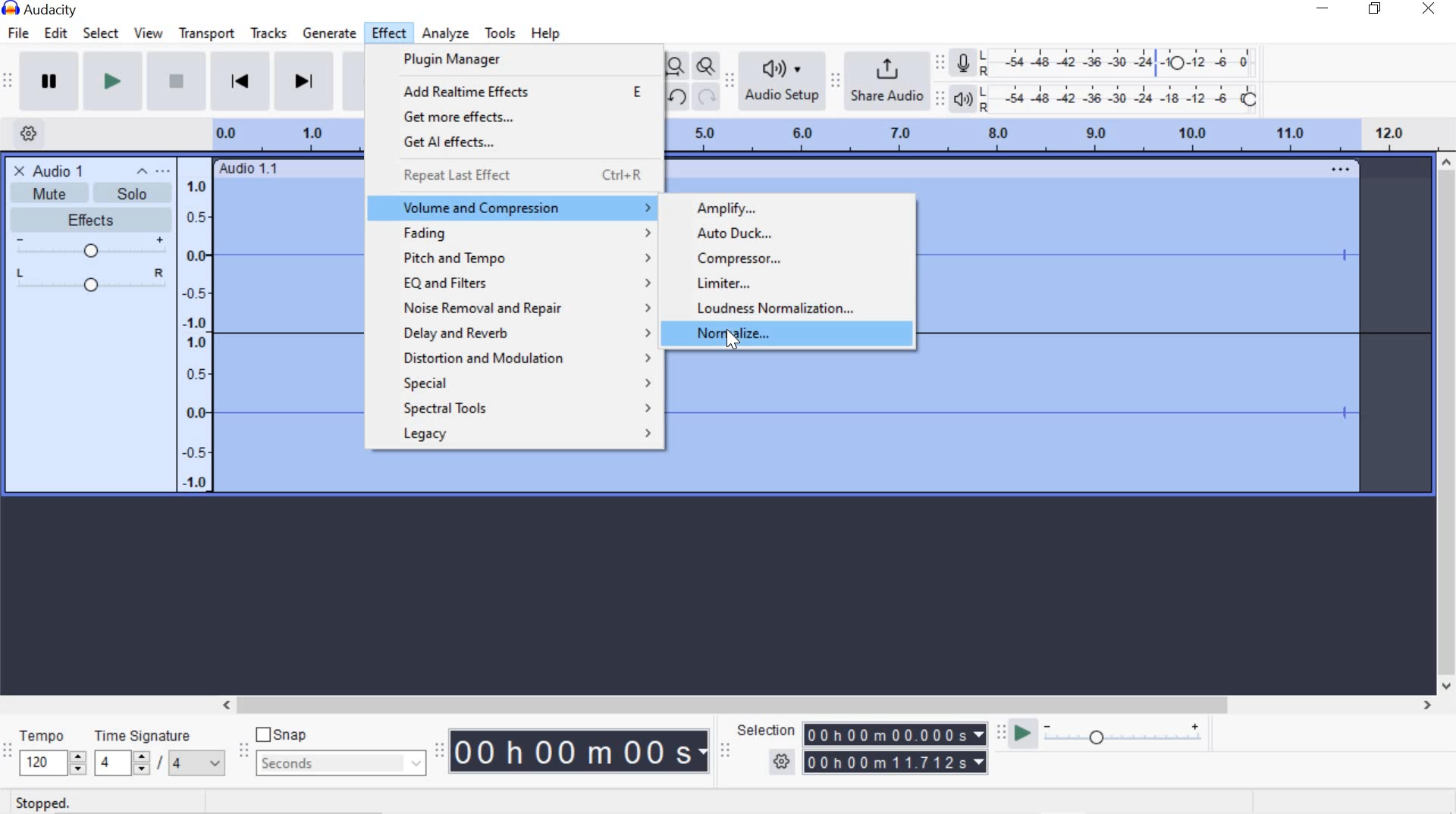  I want to click on Normalize, so click(739, 333).